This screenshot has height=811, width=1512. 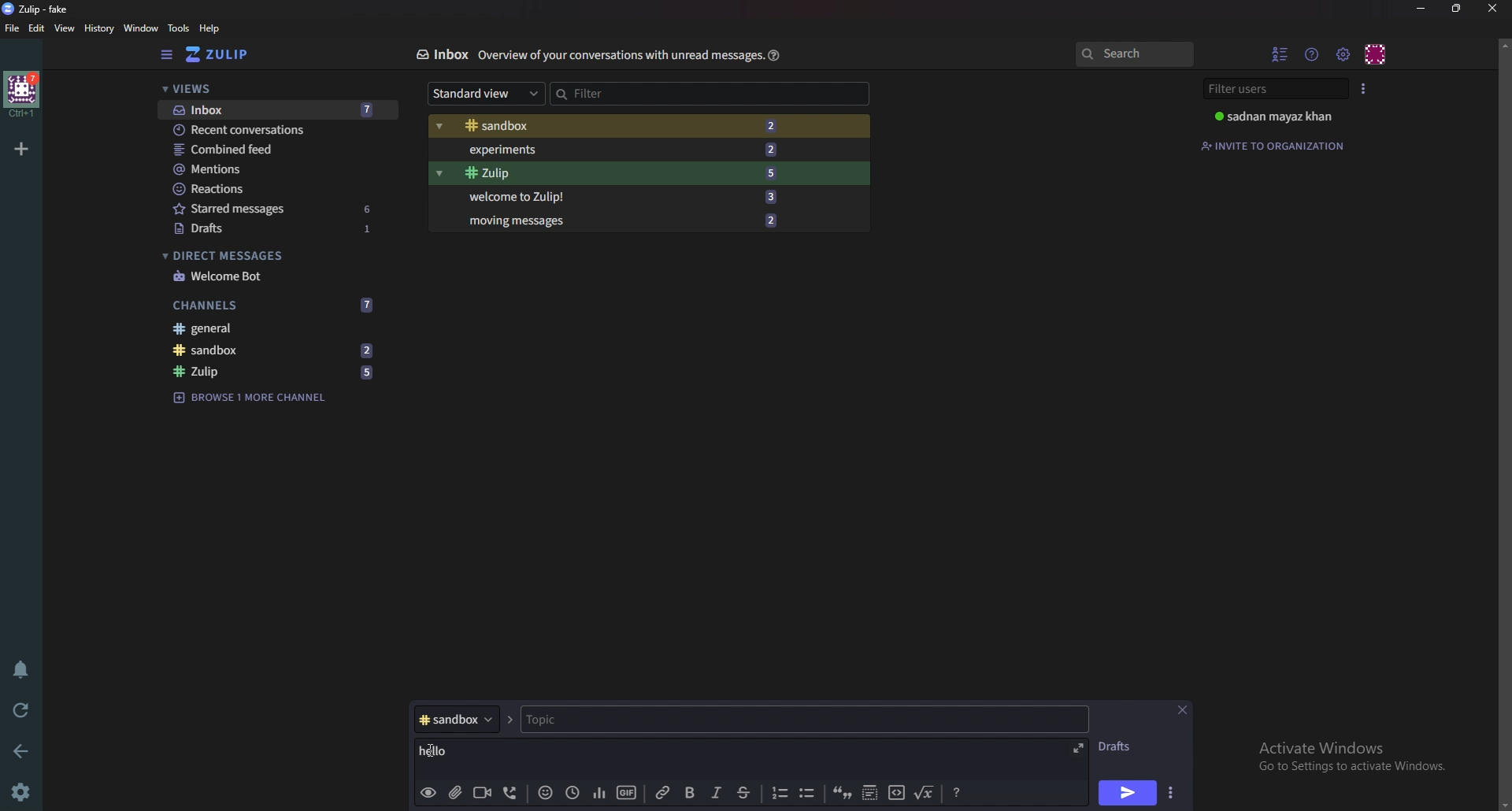 I want to click on Moving messages , so click(x=524, y=224).